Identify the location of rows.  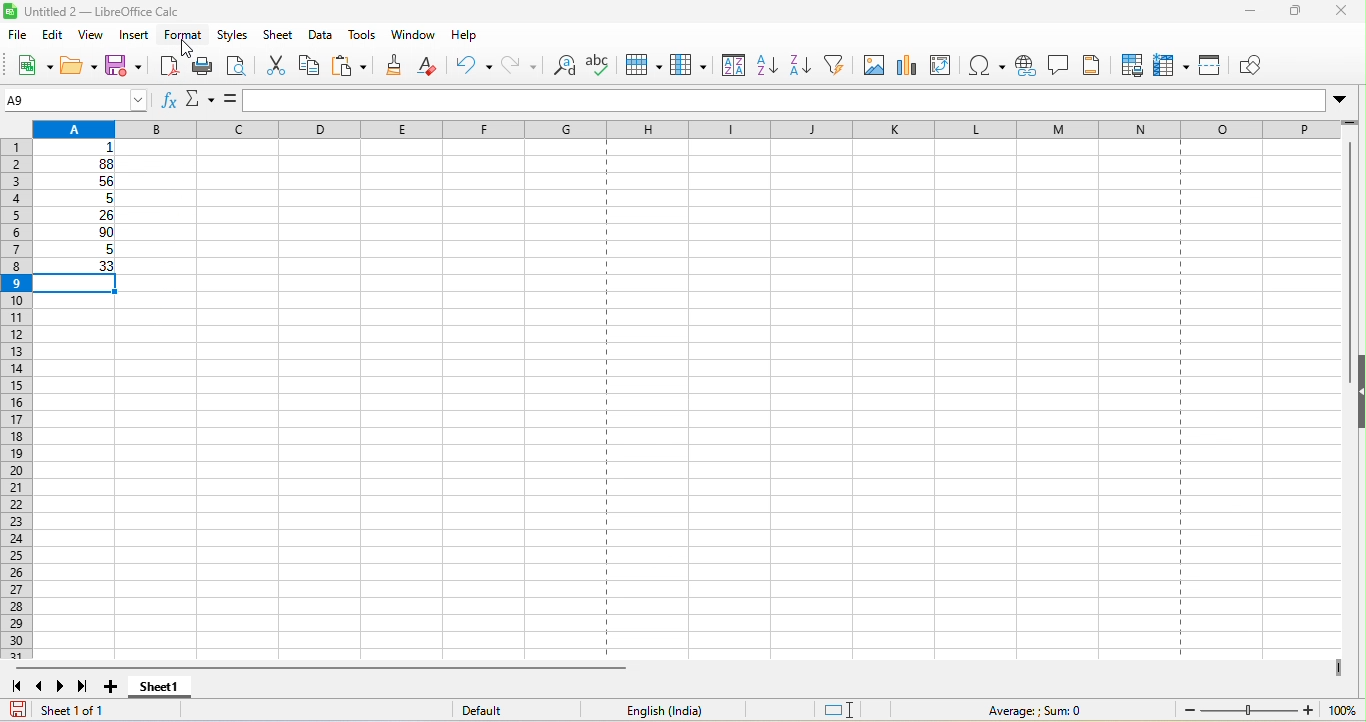
(15, 401).